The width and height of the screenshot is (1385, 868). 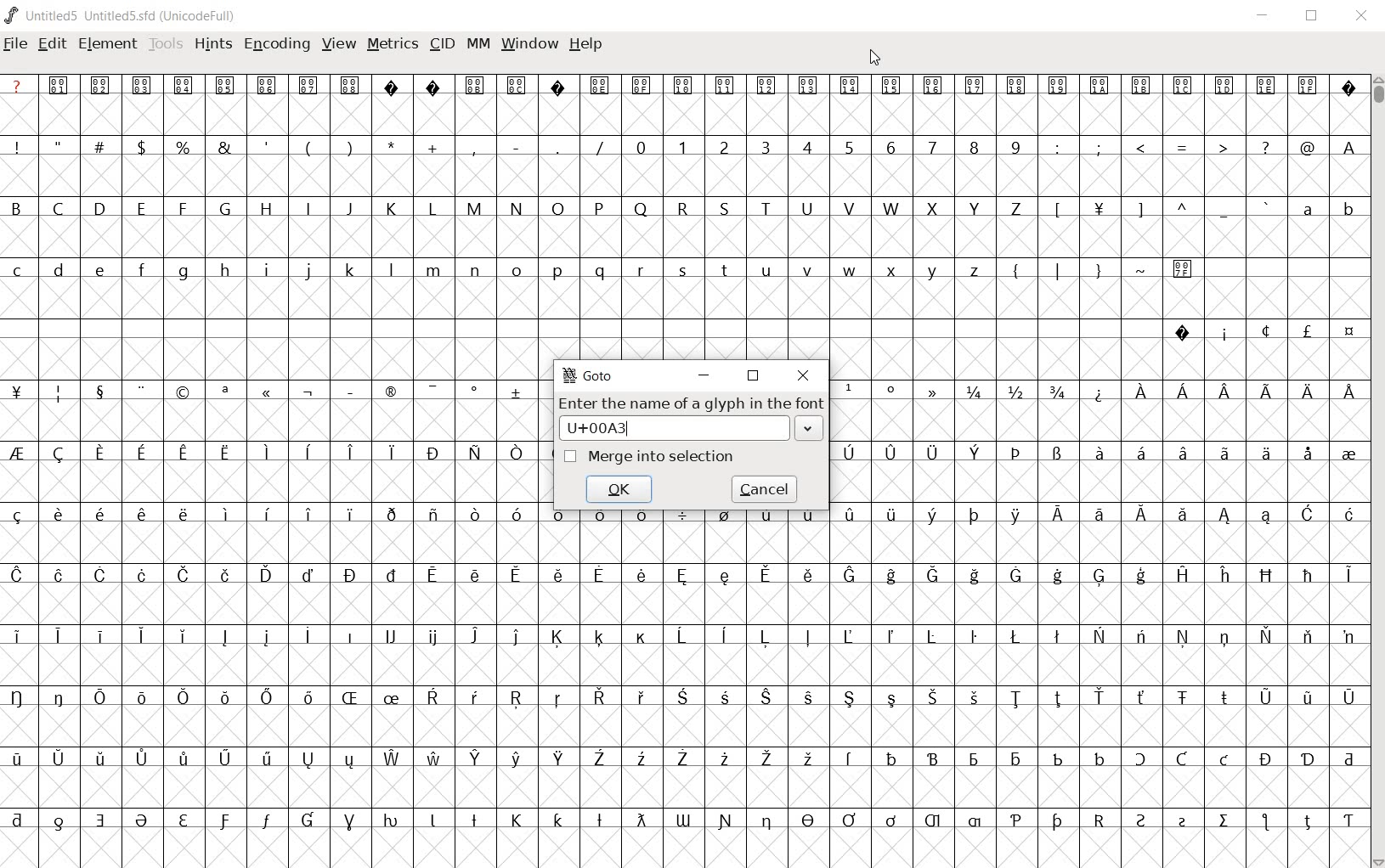 I want to click on Symbol, so click(x=20, y=576).